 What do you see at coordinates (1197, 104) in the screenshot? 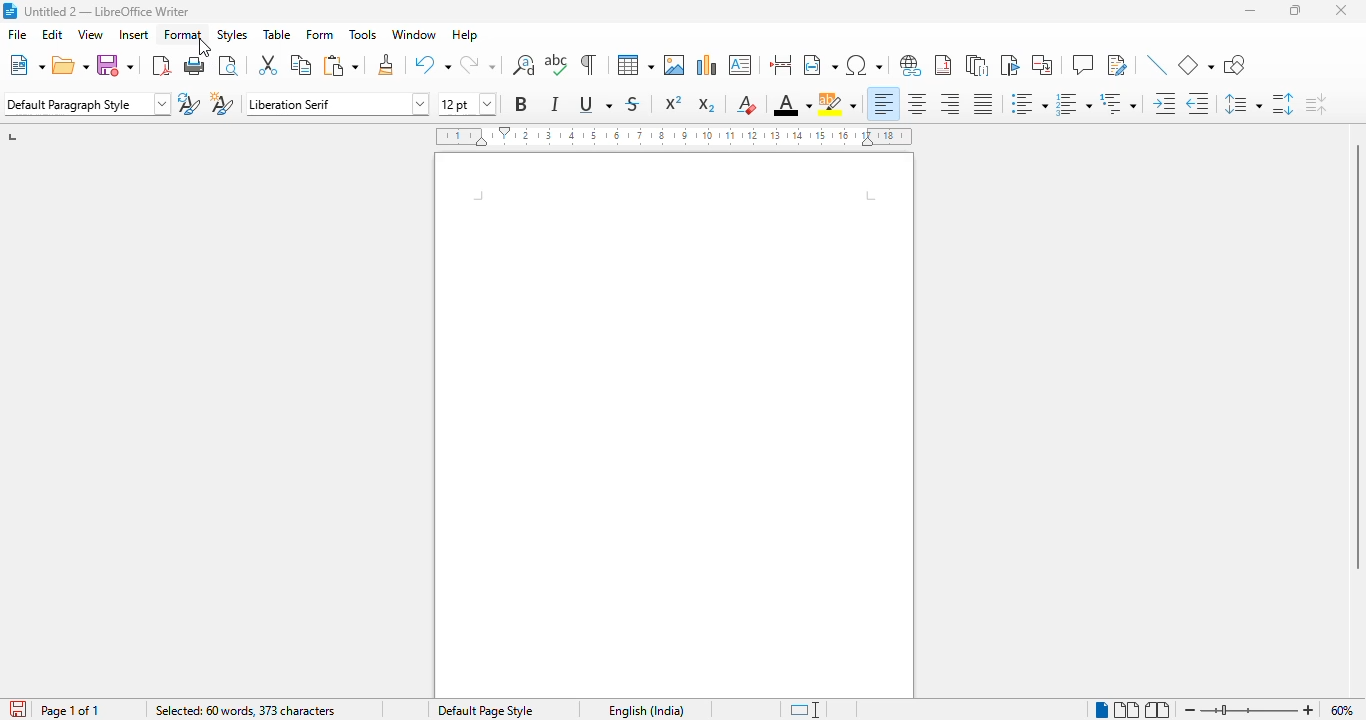
I see `decrease indent` at bounding box center [1197, 104].